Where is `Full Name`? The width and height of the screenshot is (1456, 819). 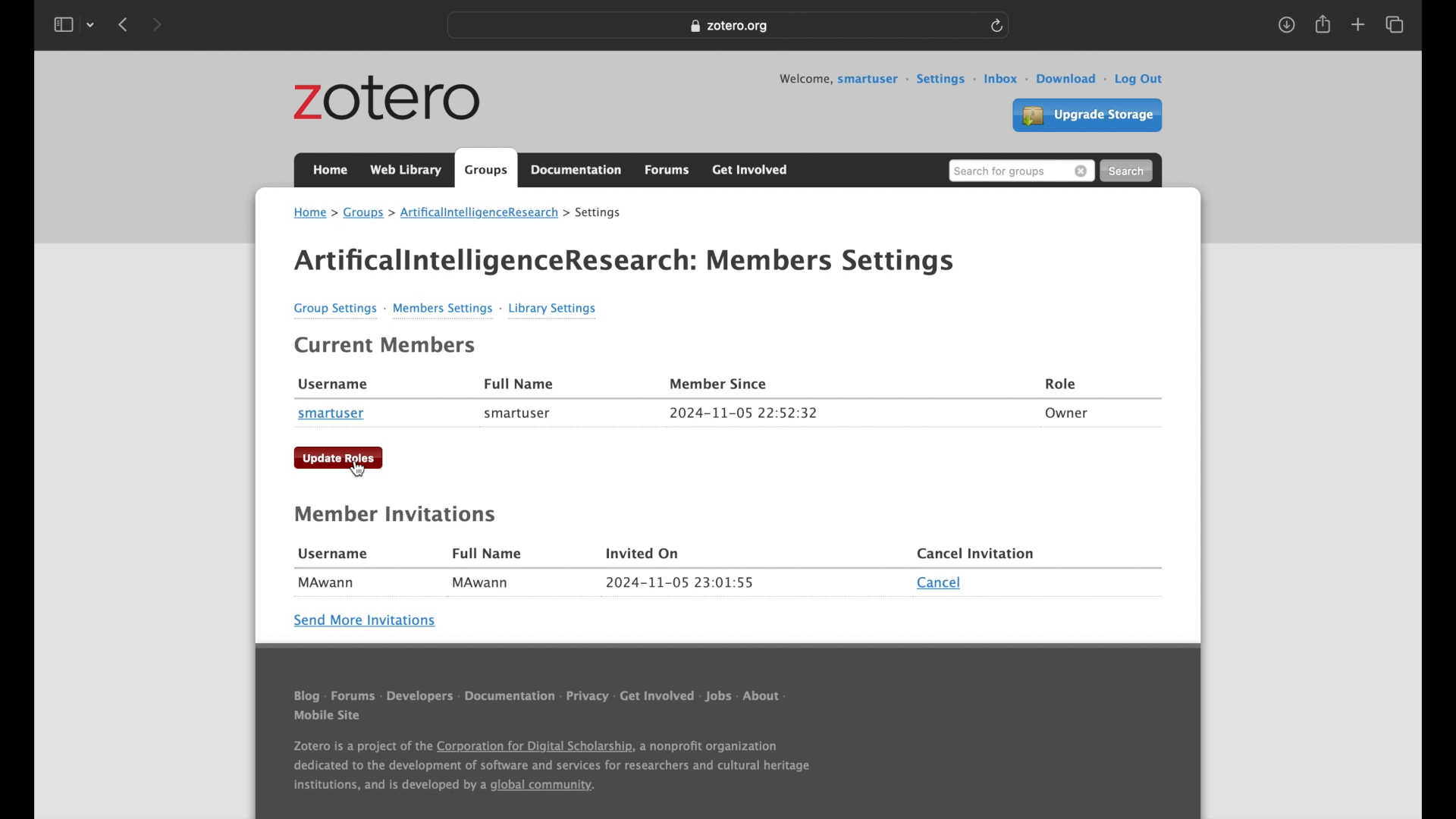 Full Name is located at coordinates (527, 381).